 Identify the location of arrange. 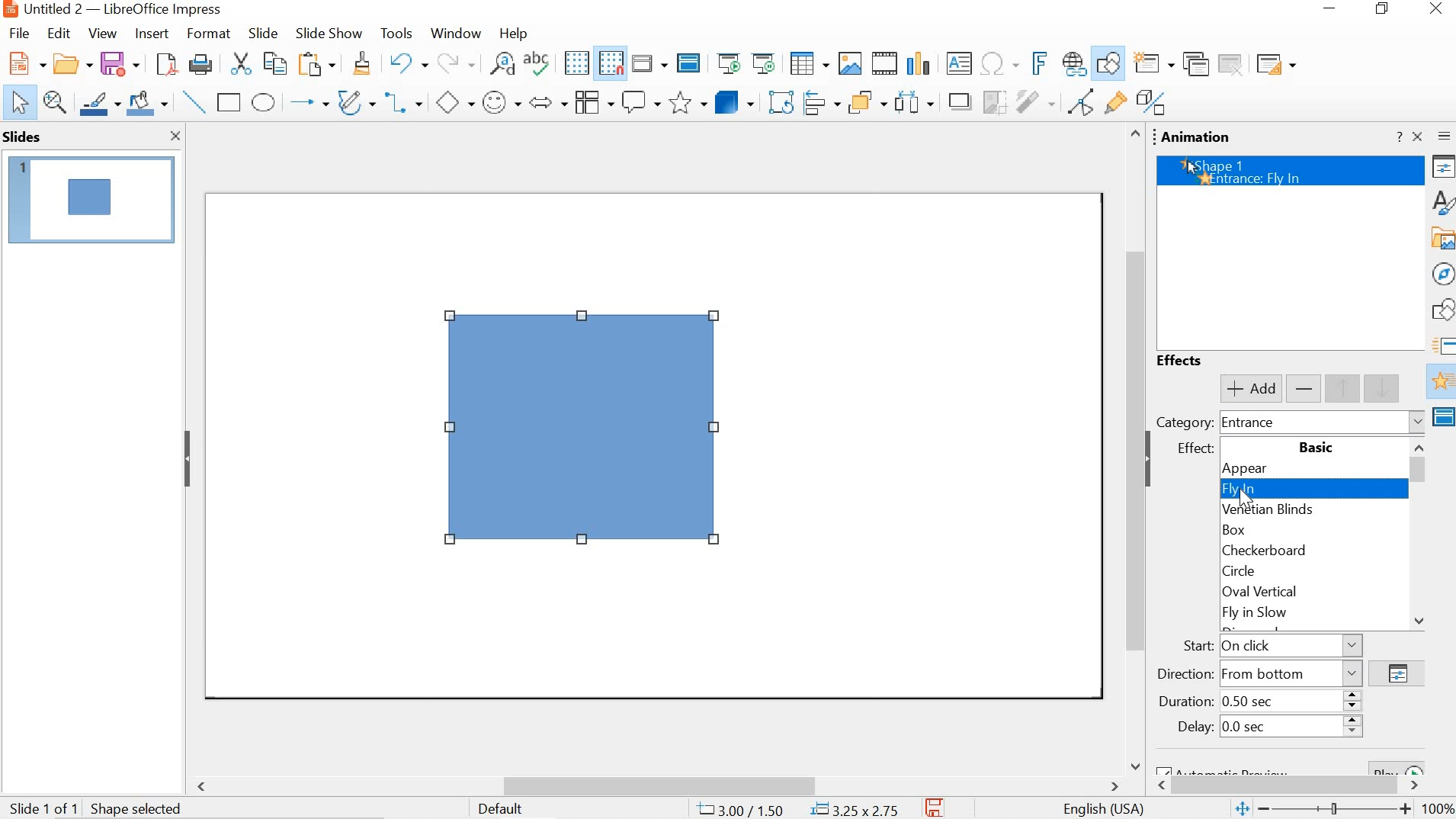
(870, 100).